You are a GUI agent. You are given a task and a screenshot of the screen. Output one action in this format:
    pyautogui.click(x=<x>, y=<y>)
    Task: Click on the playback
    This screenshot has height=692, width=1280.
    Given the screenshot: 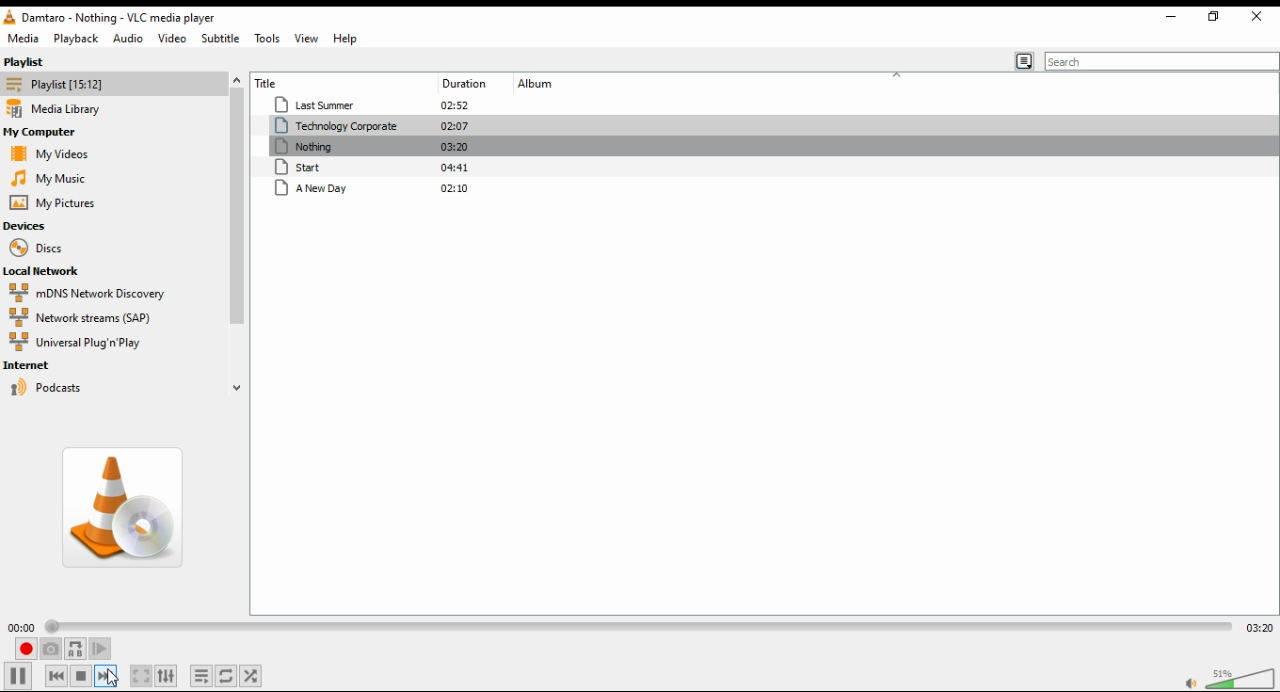 What is the action you would take?
    pyautogui.click(x=78, y=41)
    